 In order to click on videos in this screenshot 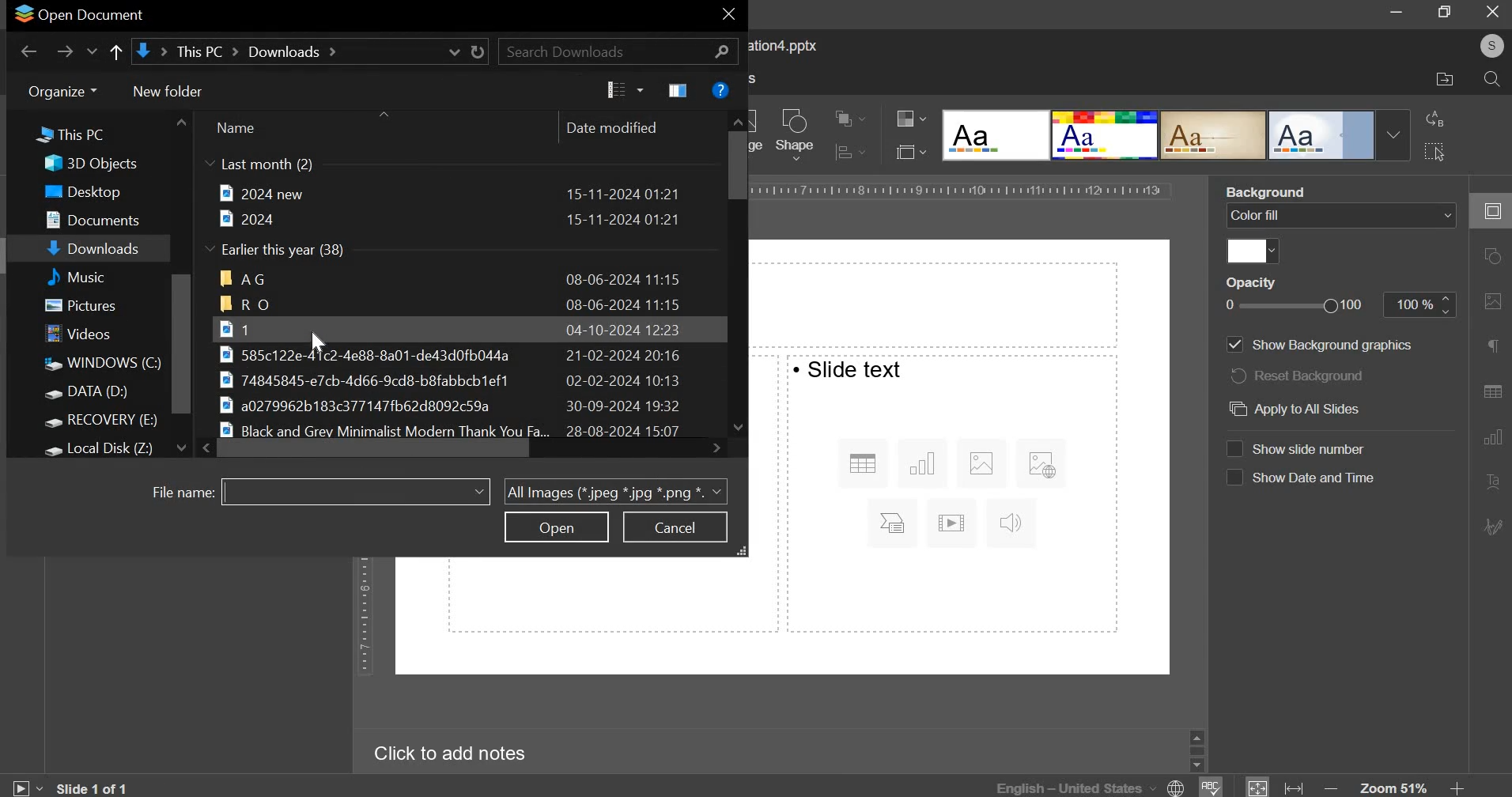, I will do `click(82, 335)`.